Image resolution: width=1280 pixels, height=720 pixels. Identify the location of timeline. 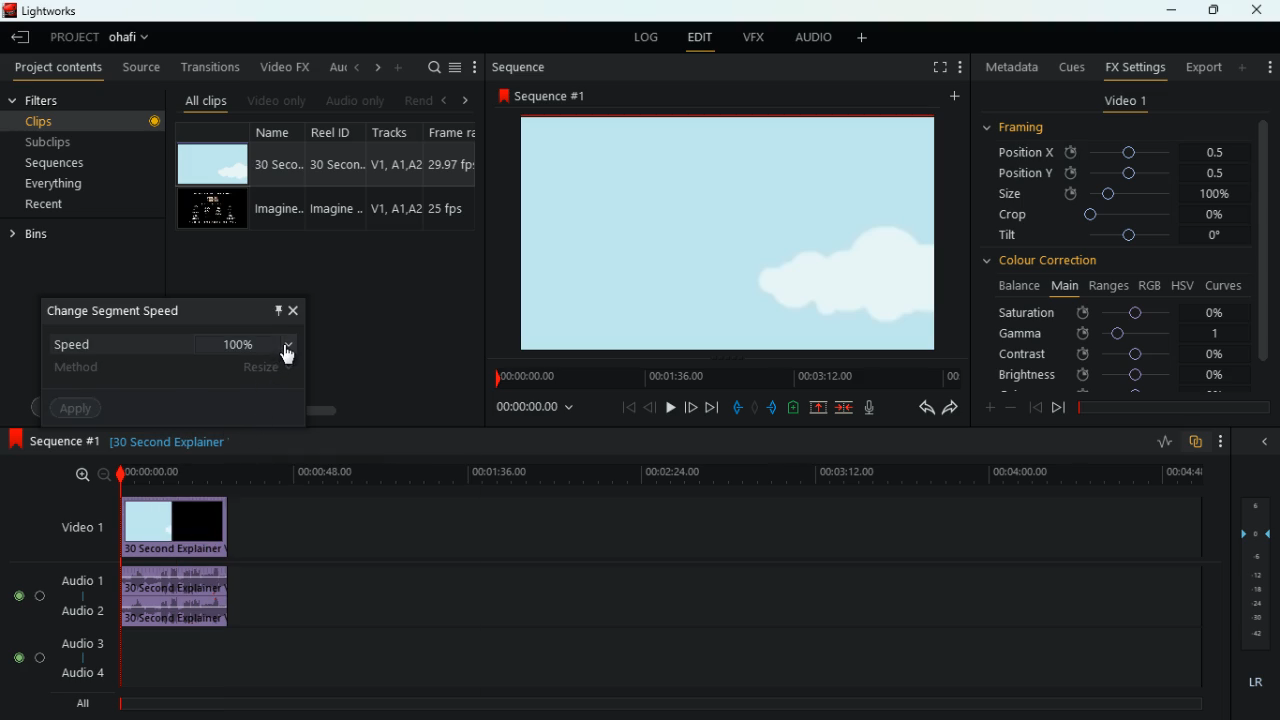
(725, 377).